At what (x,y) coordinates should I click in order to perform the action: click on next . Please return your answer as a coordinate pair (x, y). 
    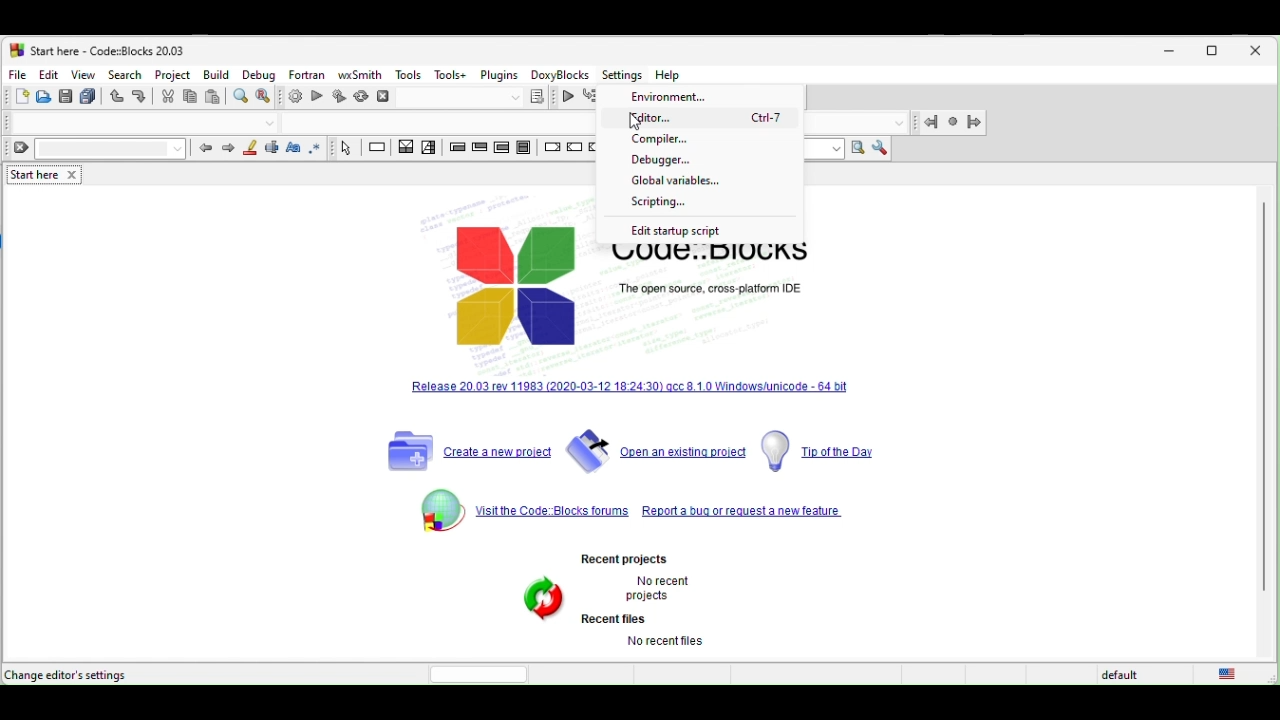
    Looking at the image, I should click on (228, 149).